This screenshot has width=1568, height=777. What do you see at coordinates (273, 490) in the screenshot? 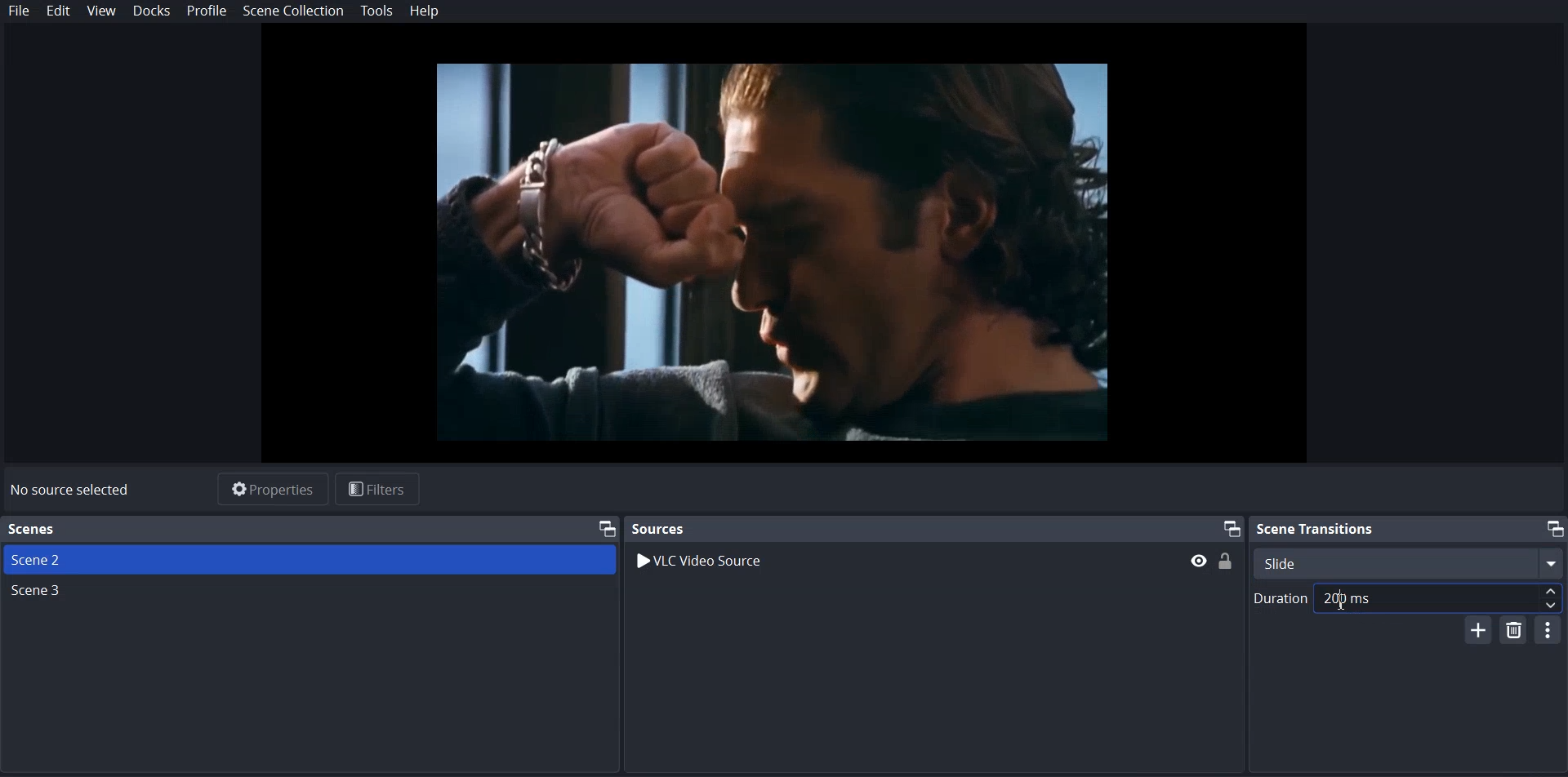
I see `Properties` at bounding box center [273, 490].